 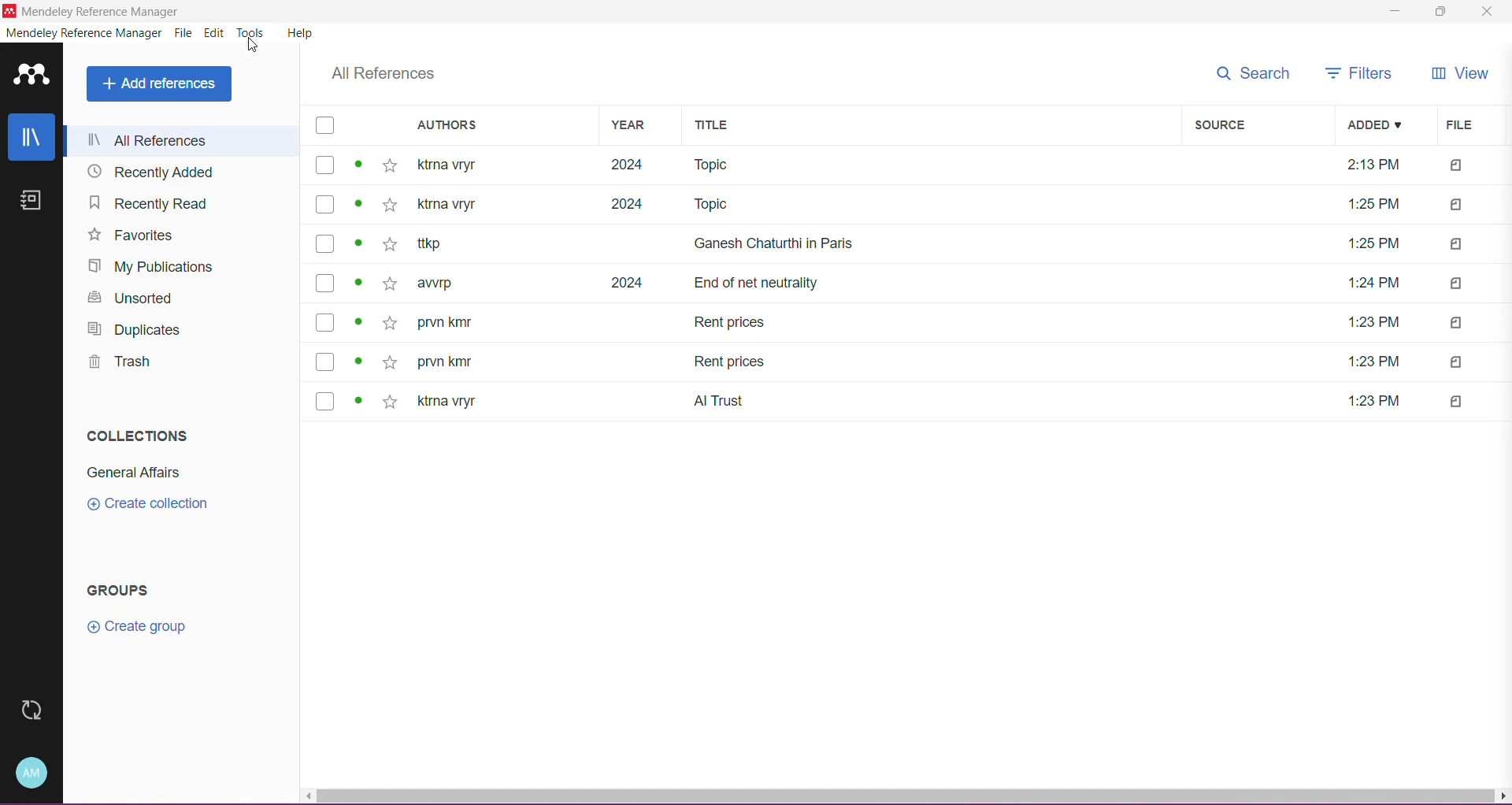 I want to click on All References, so click(x=176, y=142).